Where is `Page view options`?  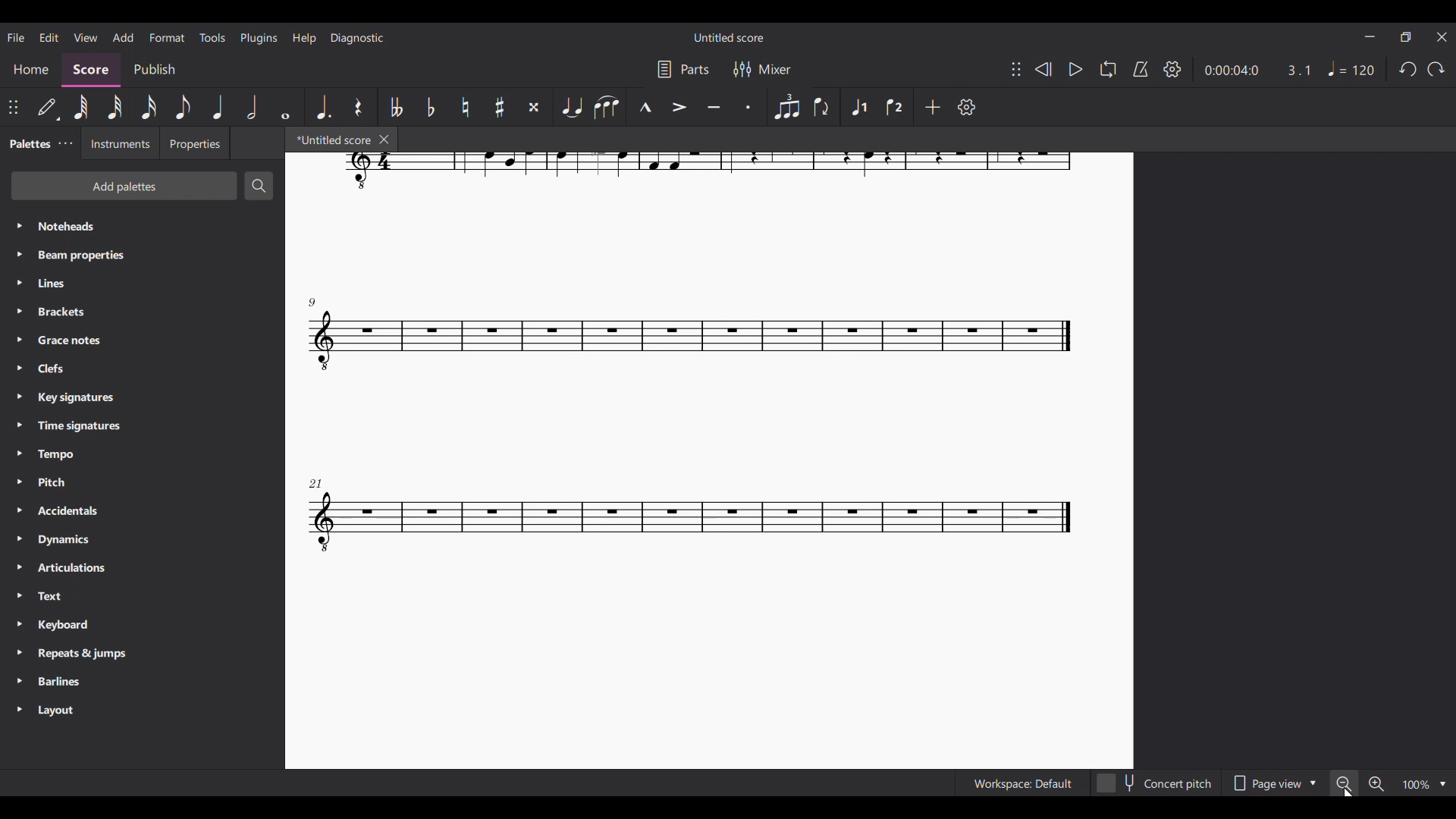
Page view options is located at coordinates (1271, 783).